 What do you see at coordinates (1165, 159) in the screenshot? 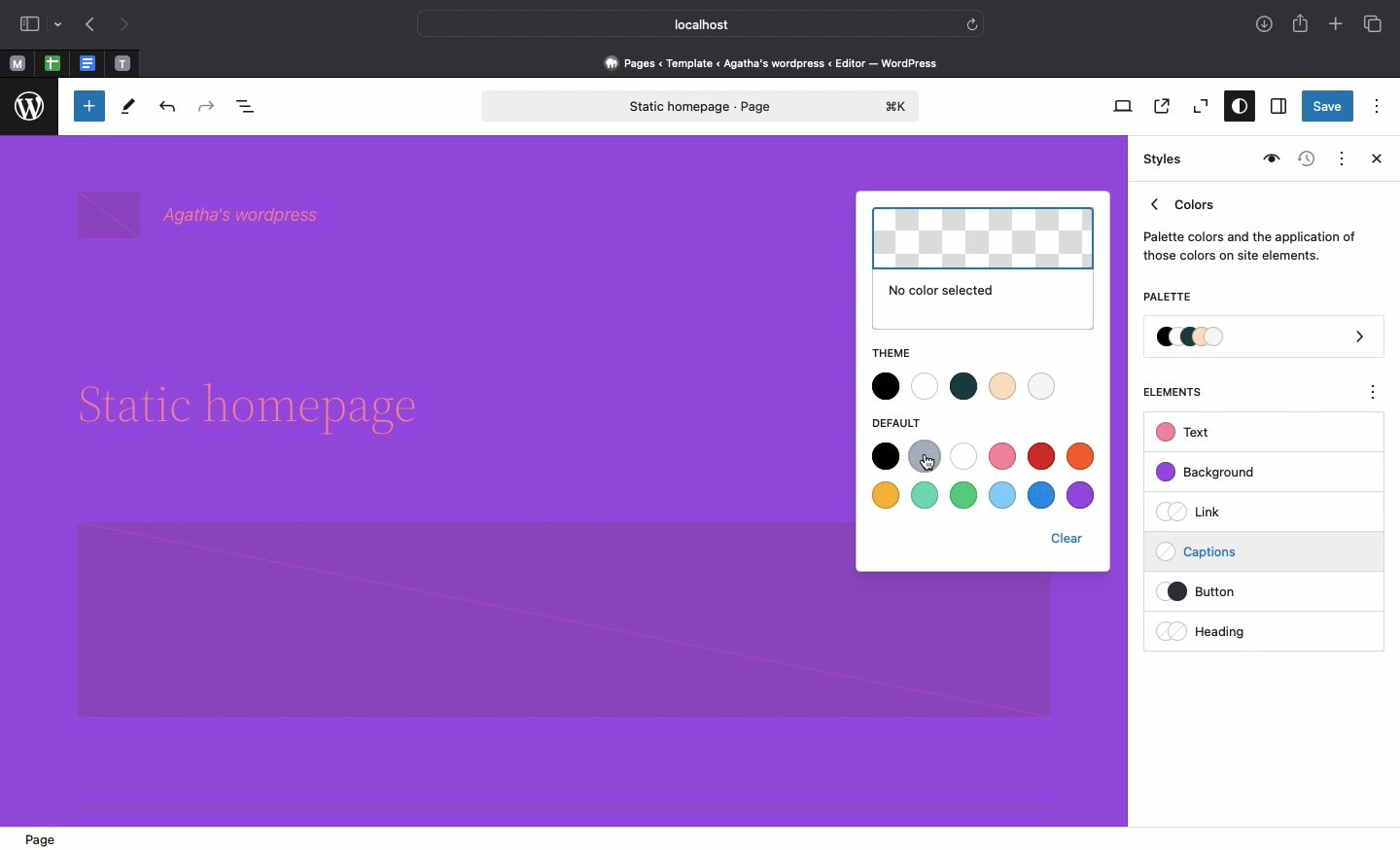
I see `Styles` at bounding box center [1165, 159].